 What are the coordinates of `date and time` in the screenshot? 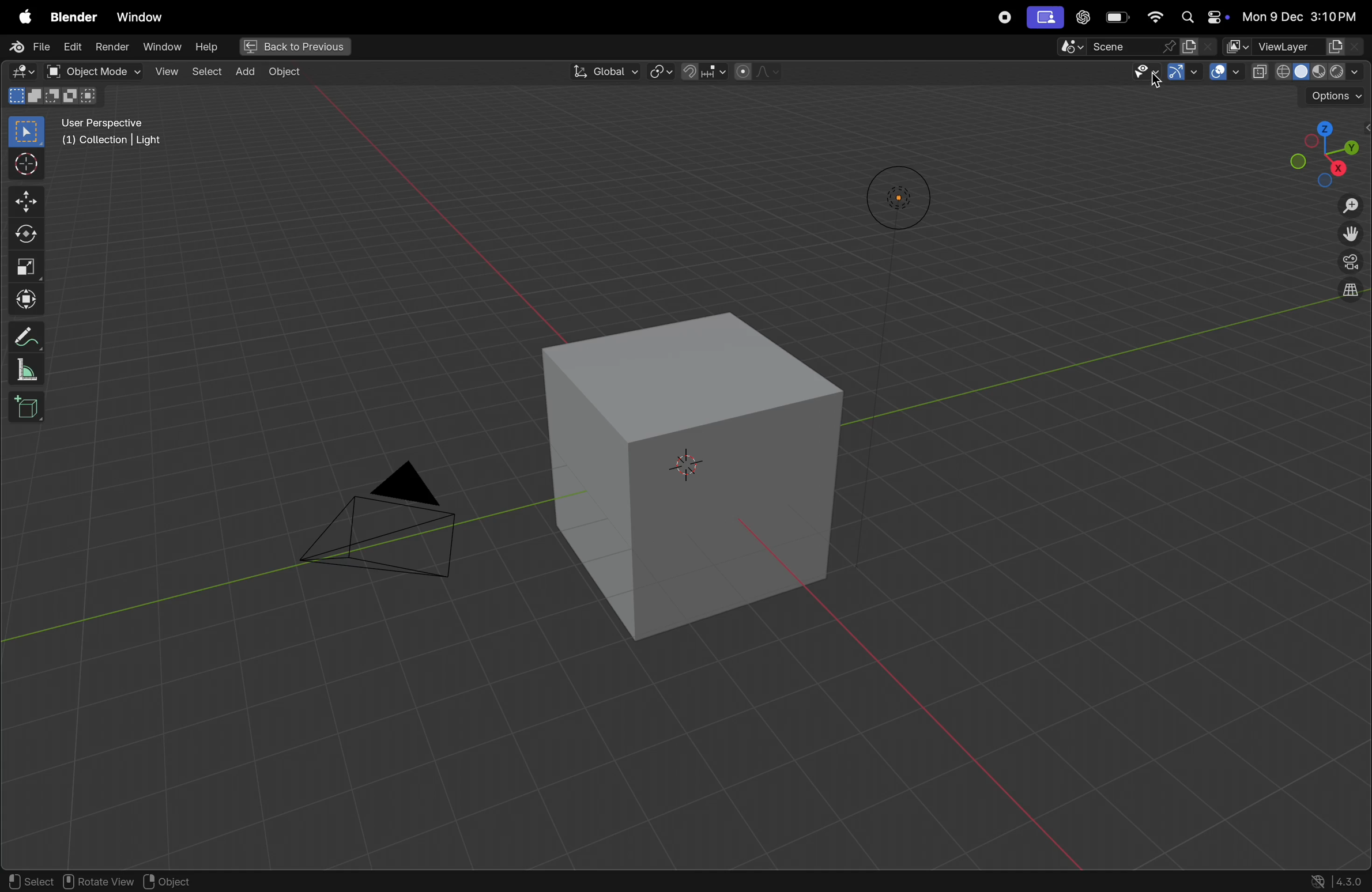 It's located at (1299, 16).